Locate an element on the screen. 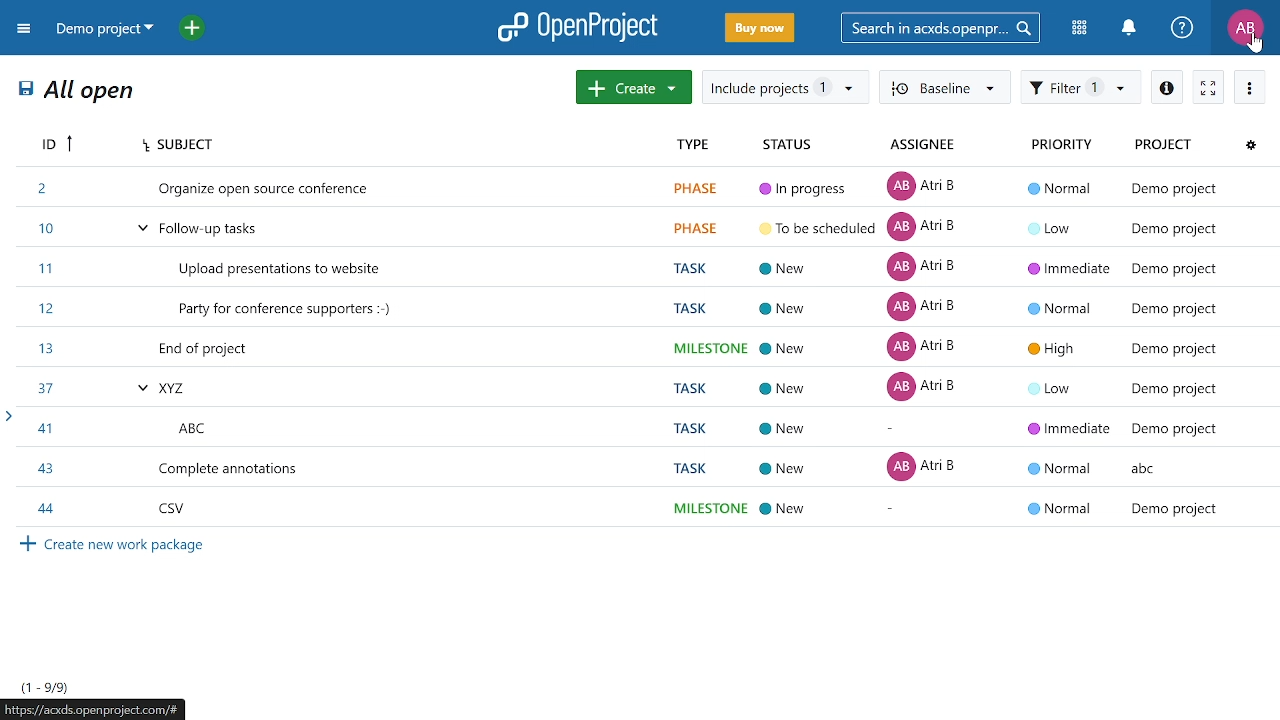 This screenshot has width=1280, height=720. Tasks showing is located at coordinates (46, 687).